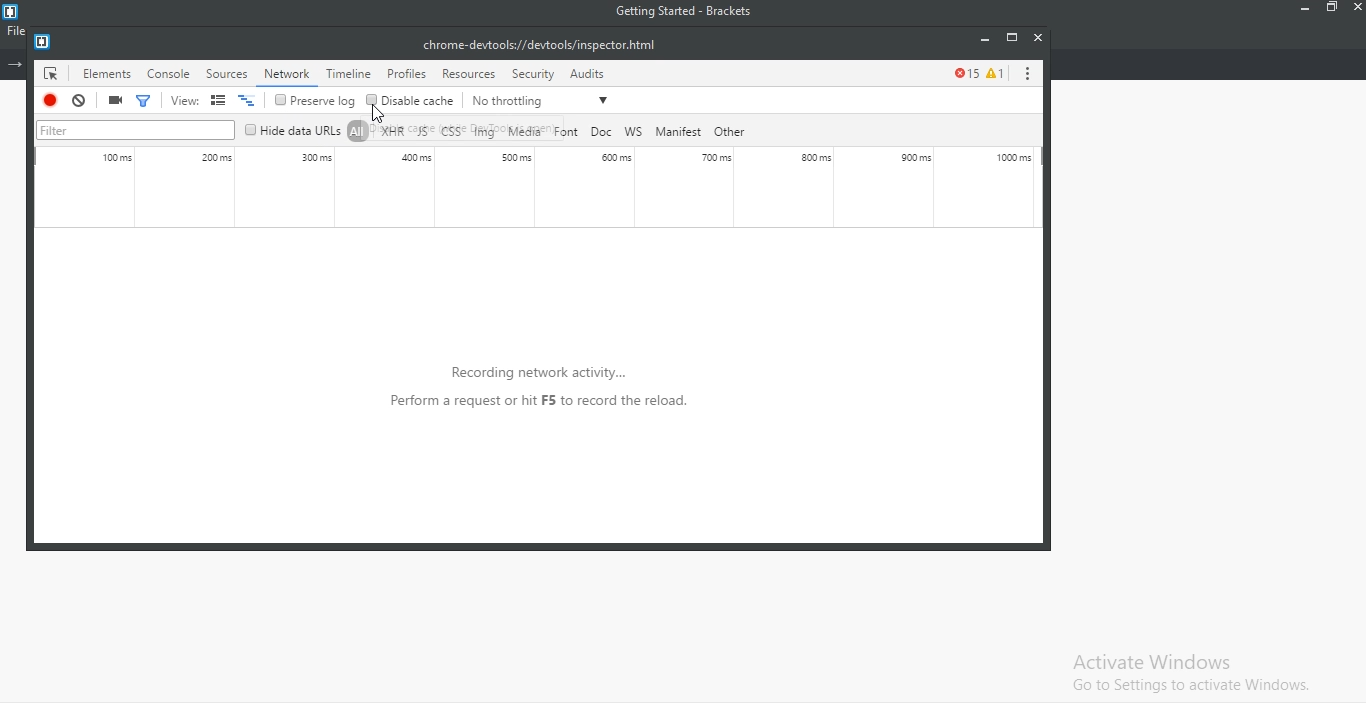 Image resolution: width=1366 pixels, height=728 pixels. Describe the element at coordinates (469, 73) in the screenshot. I see `resources` at that location.